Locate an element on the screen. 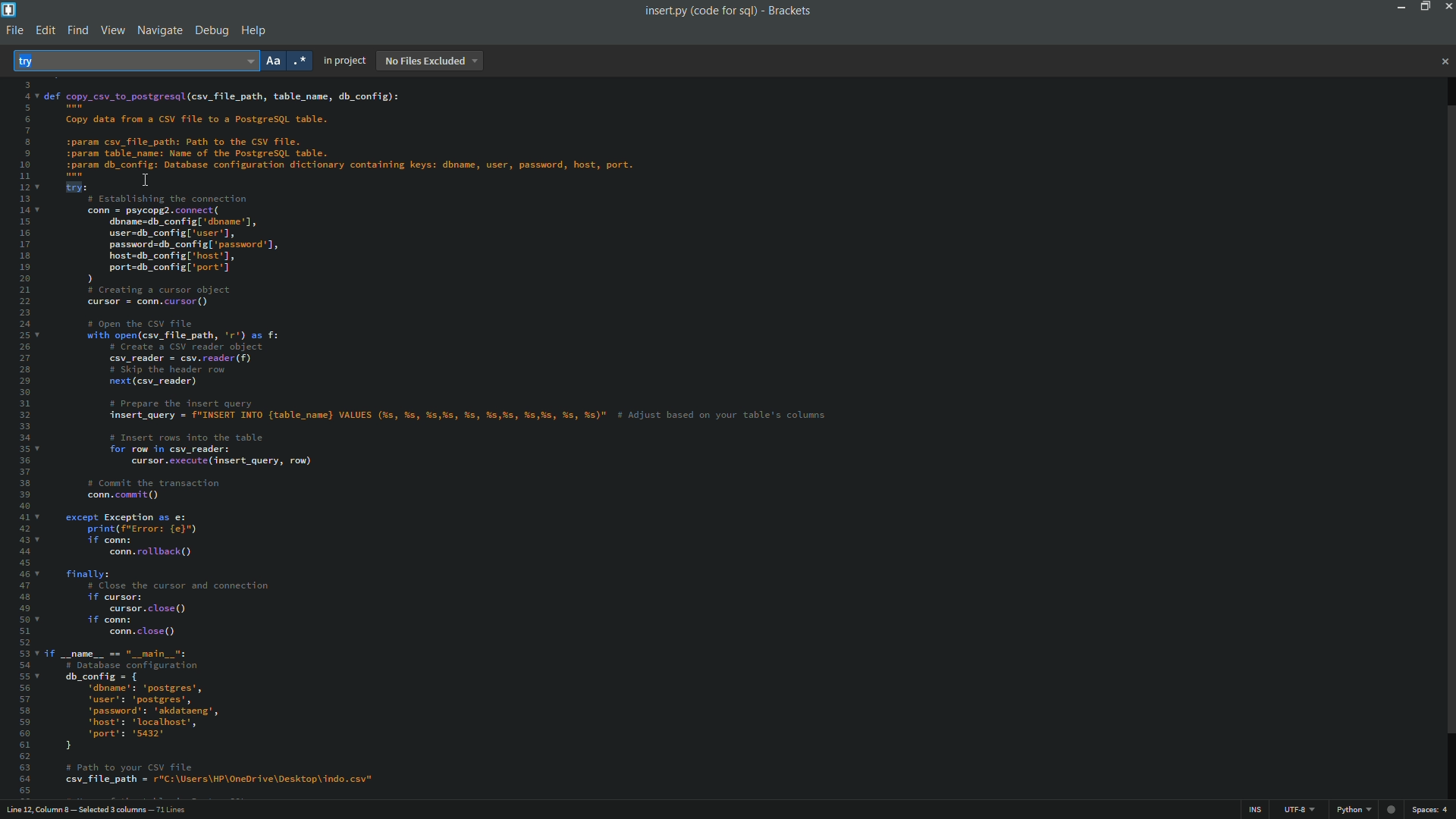  close is located at coordinates (1444, 62).